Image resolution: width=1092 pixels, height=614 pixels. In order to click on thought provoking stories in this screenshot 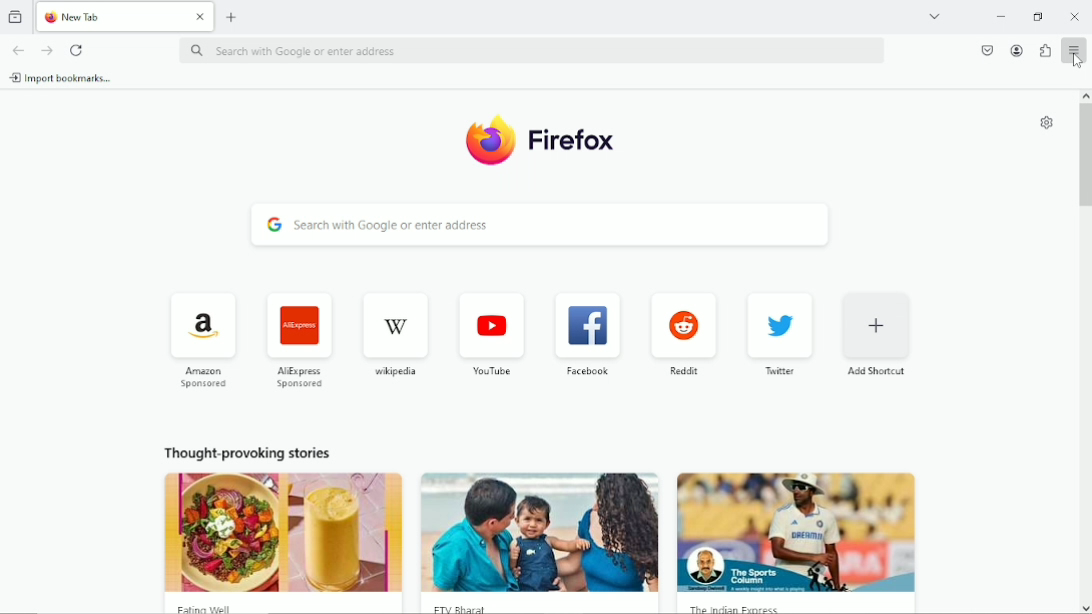, I will do `click(242, 451)`.